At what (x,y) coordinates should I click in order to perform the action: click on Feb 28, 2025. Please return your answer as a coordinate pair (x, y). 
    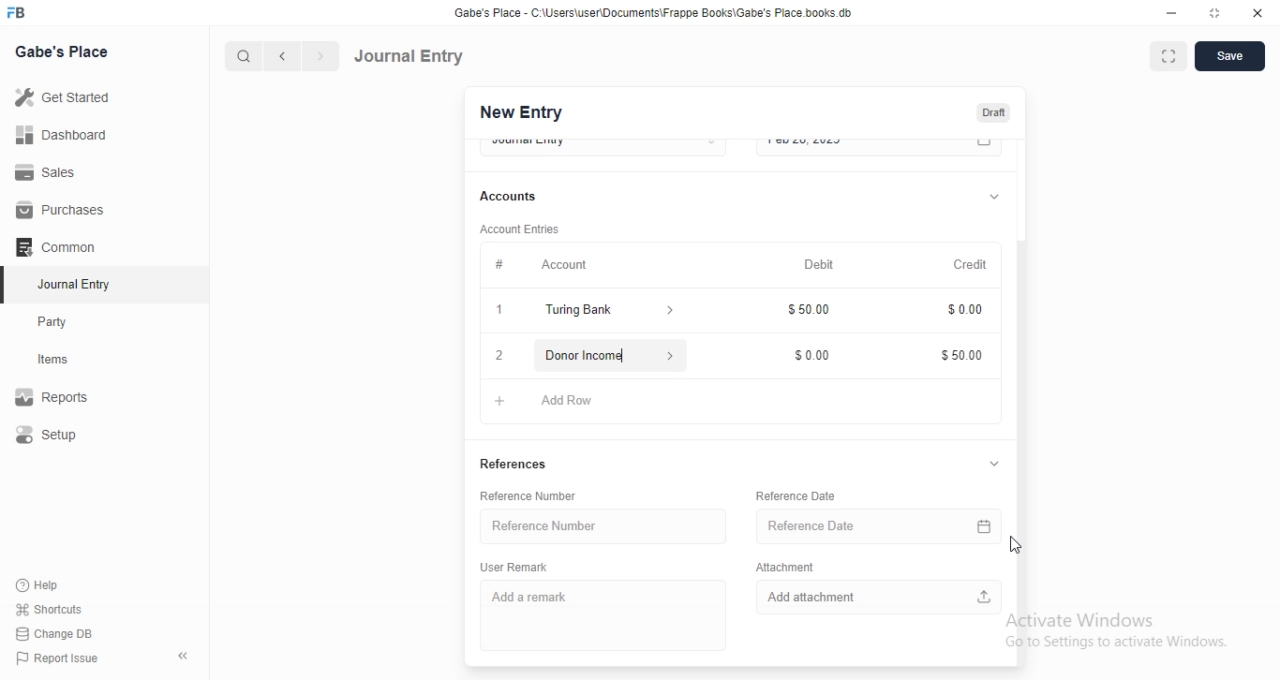
    Looking at the image, I should click on (860, 146).